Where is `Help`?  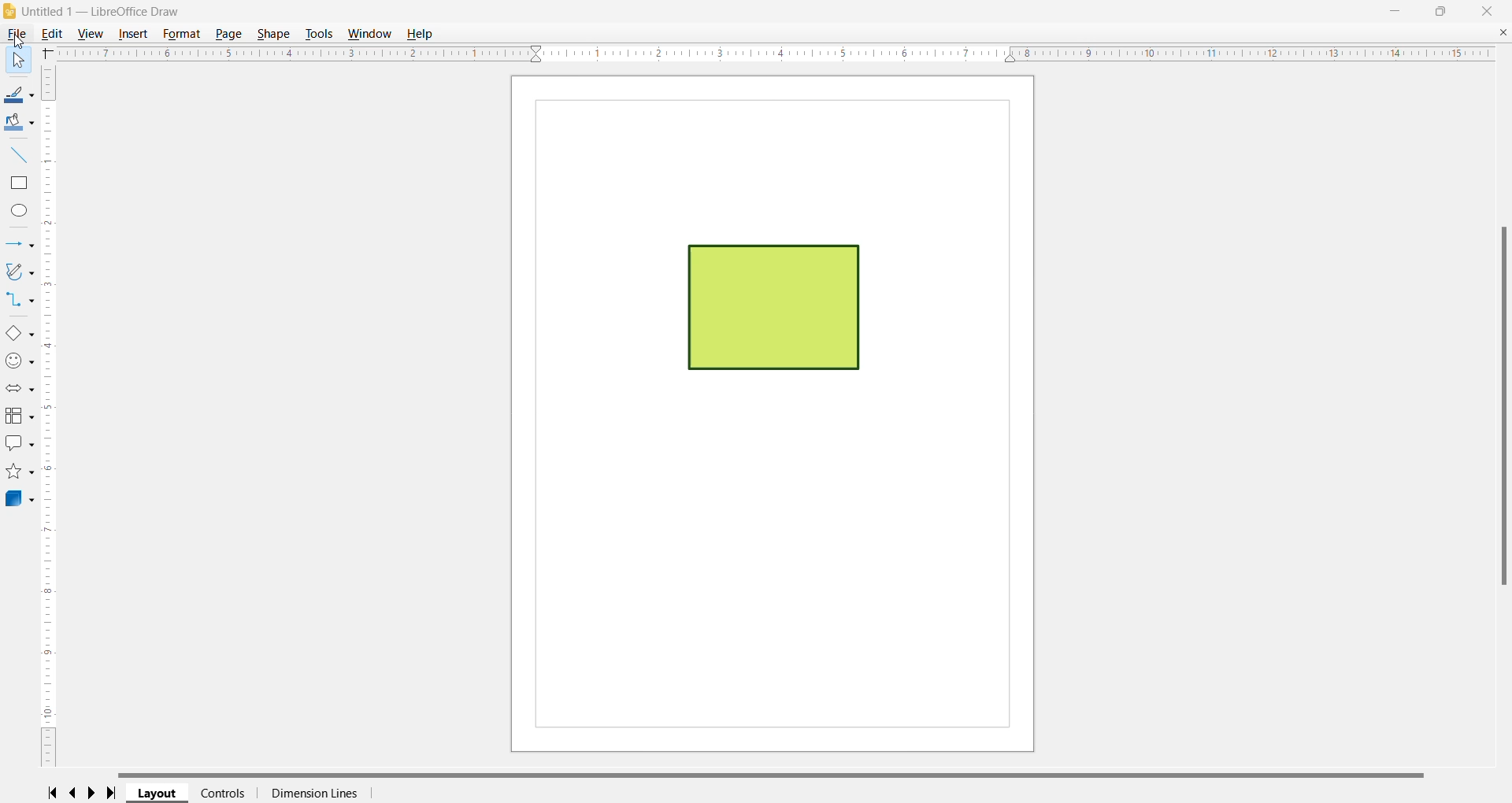 Help is located at coordinates (16, 61).